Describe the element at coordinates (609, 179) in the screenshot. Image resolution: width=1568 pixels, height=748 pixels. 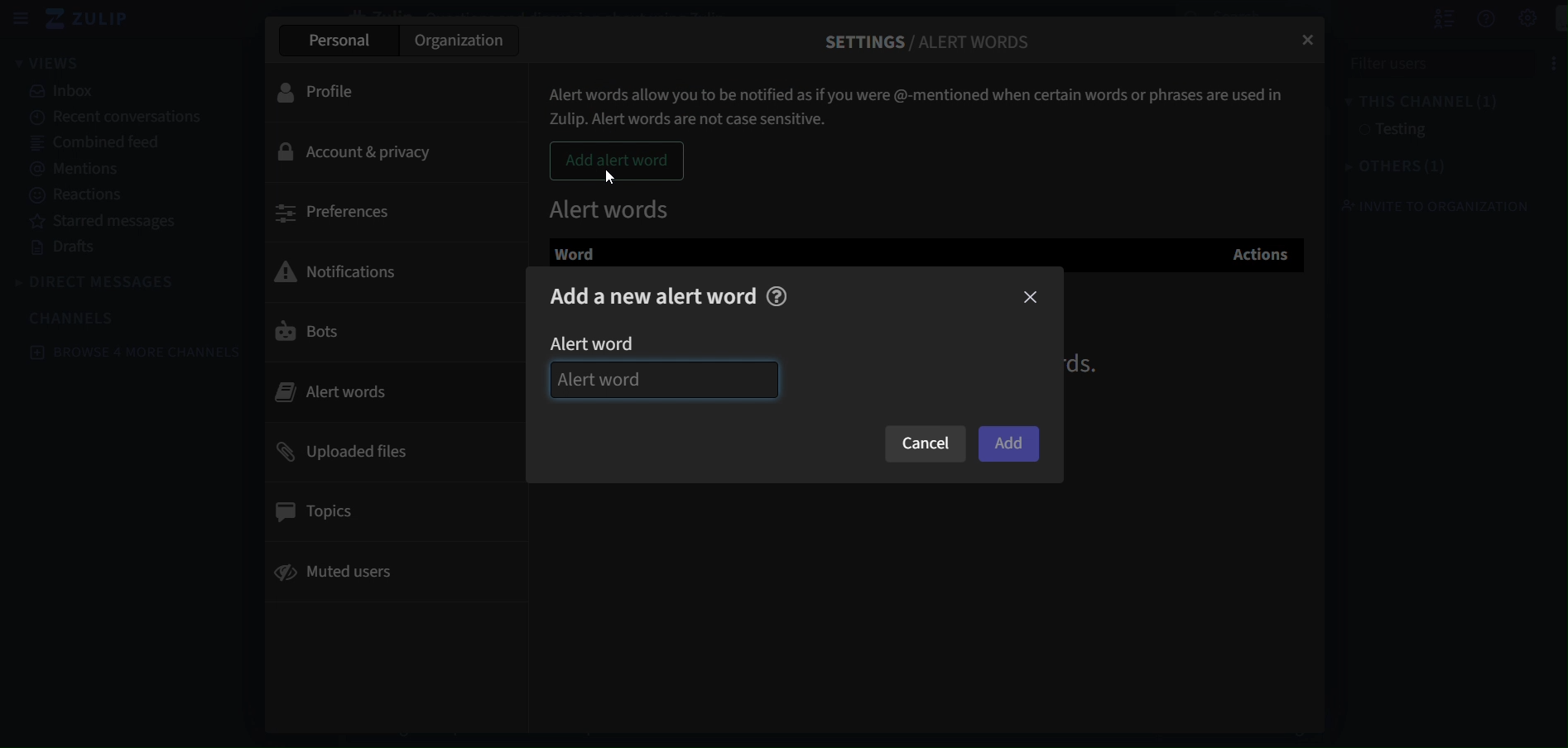
I see `Cursor` at that location.